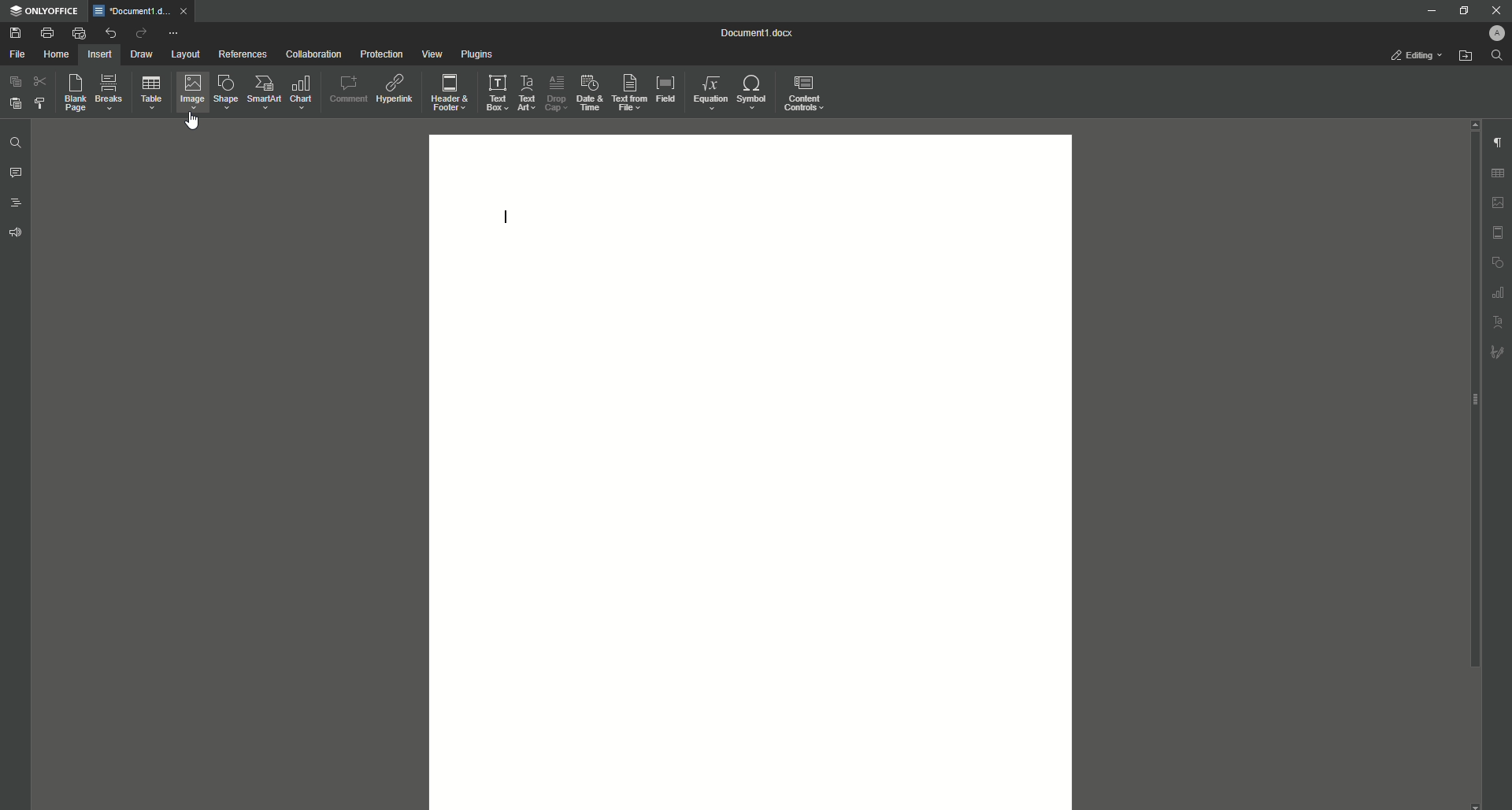 The width and height of the screenshot is (1512, 810). What do you see at coordinates (398, 89) in the screenshot?
I see `Hyperlink` at bounding box center [398, 89].